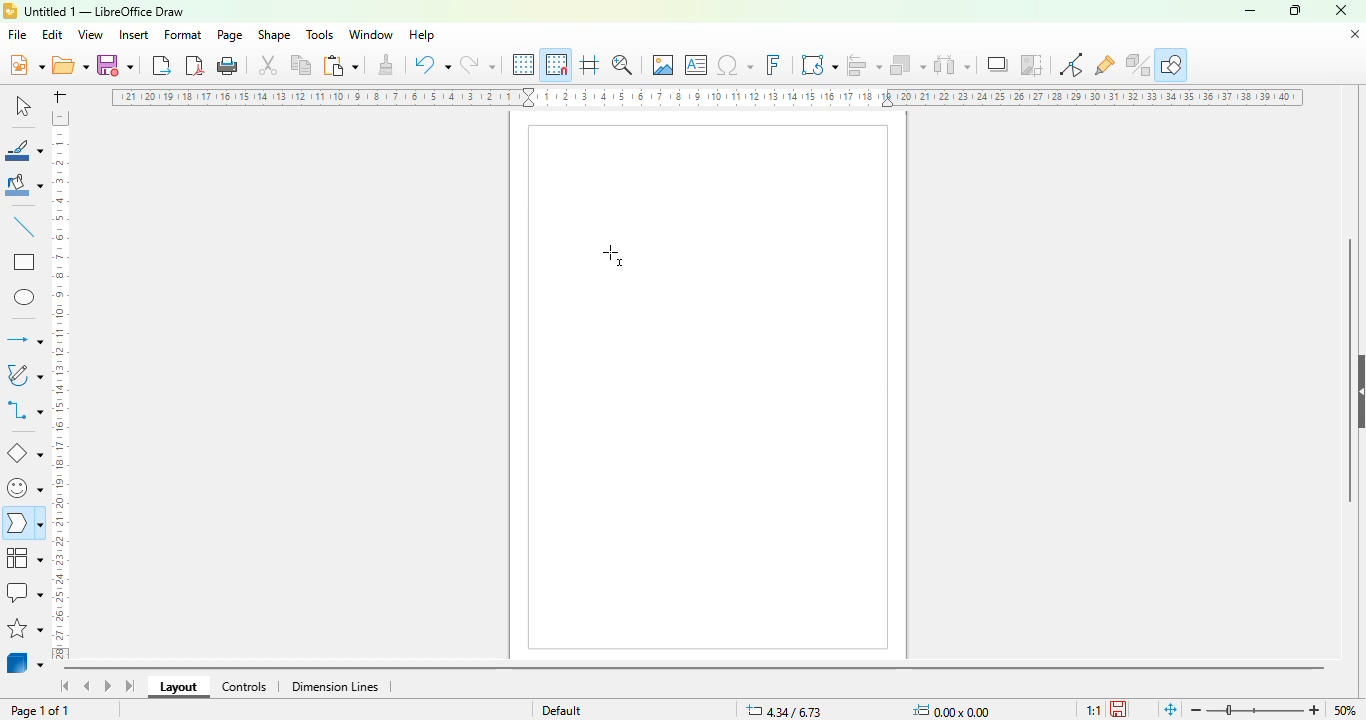  I want to click on new, so click(26, 64).